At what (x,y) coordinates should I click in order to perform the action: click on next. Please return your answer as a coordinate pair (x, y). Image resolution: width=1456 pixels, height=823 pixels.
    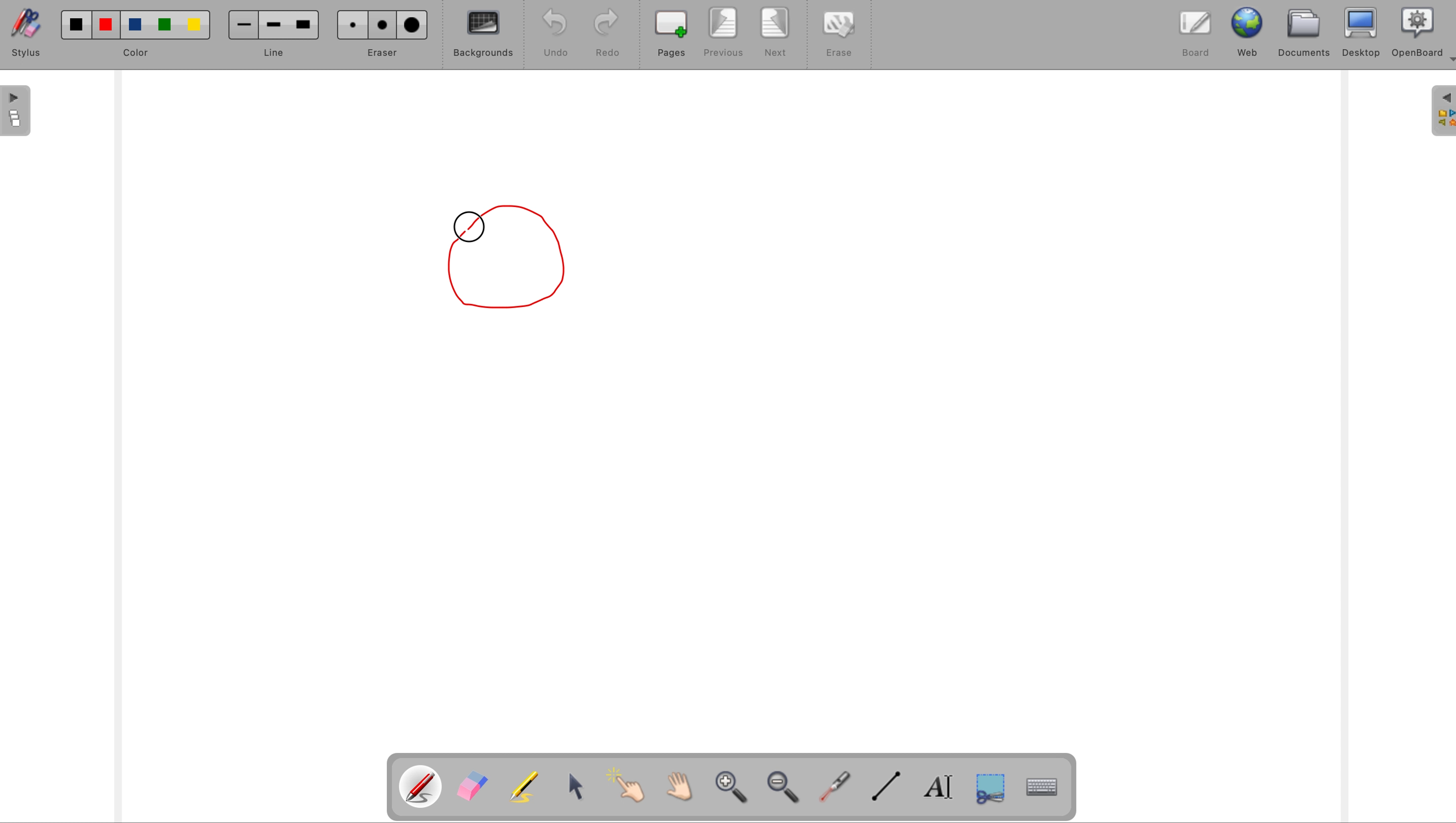
    Looking at the image, I should click on (775, 33).